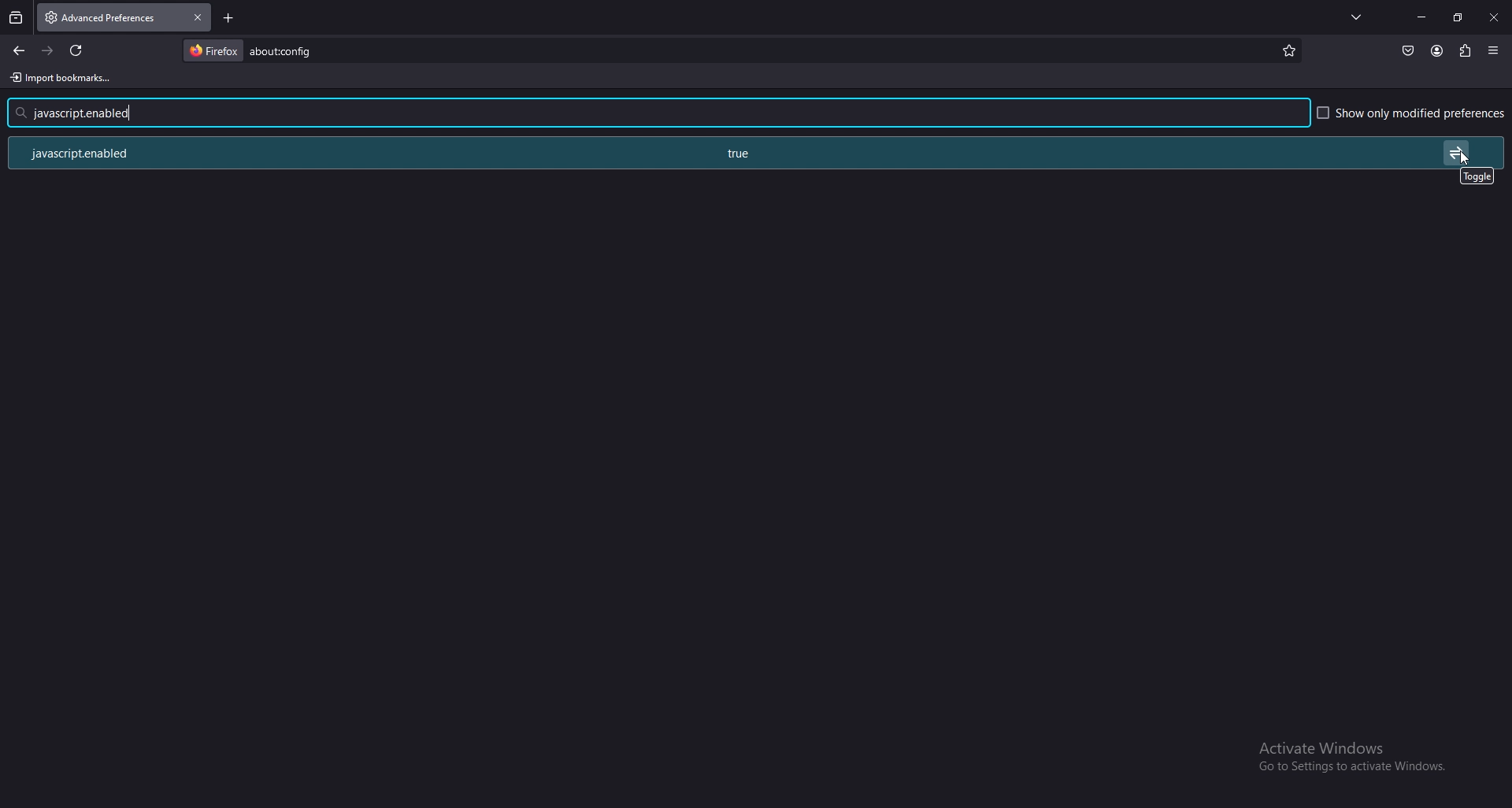 Image resolution: width=1512 pixels, height=808 pixels. I want to click on application menu, so click(1495, 50).